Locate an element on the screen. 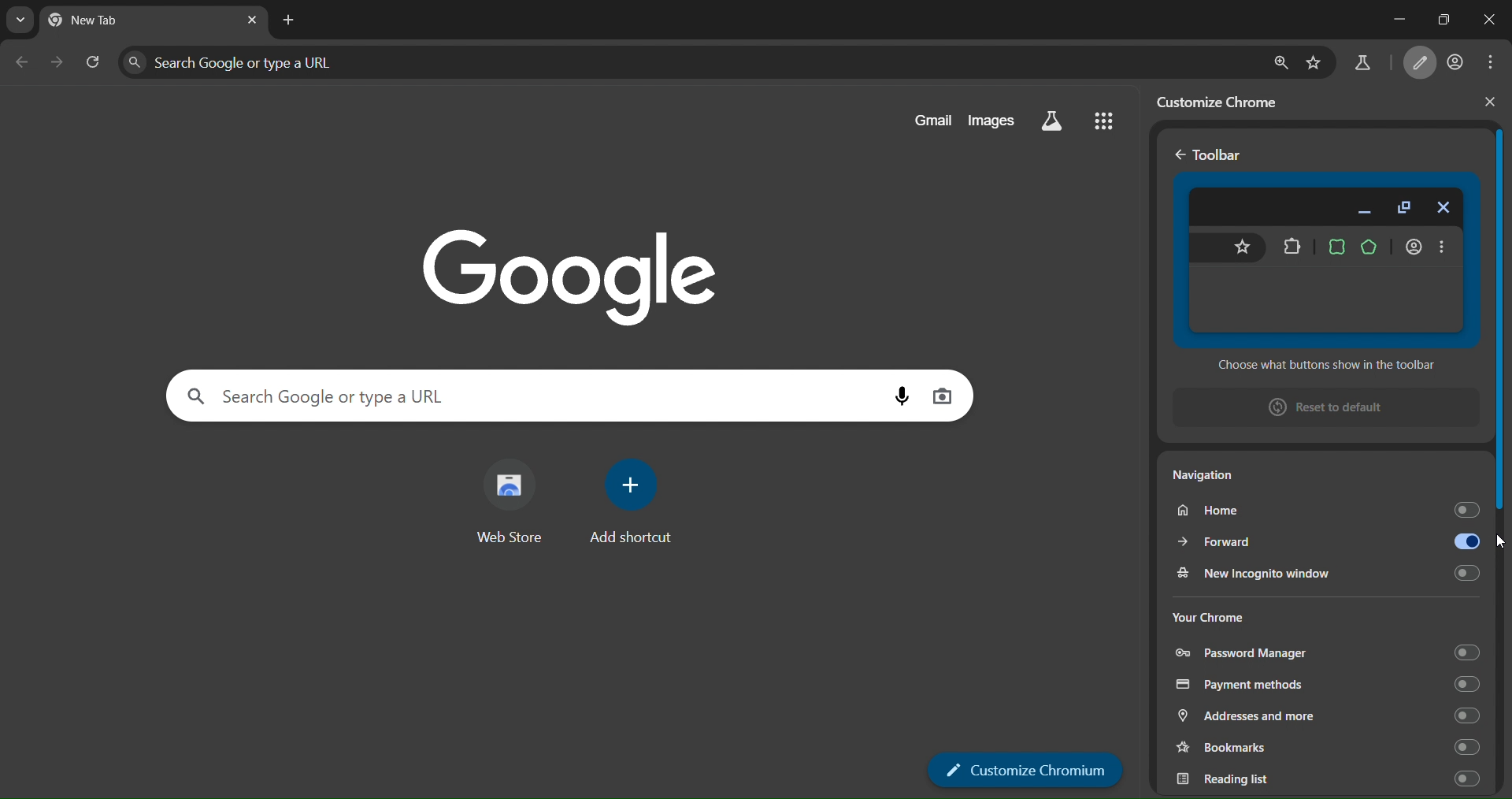 The image size is (1512, 799). search panel is located at coordinates (521, 395).